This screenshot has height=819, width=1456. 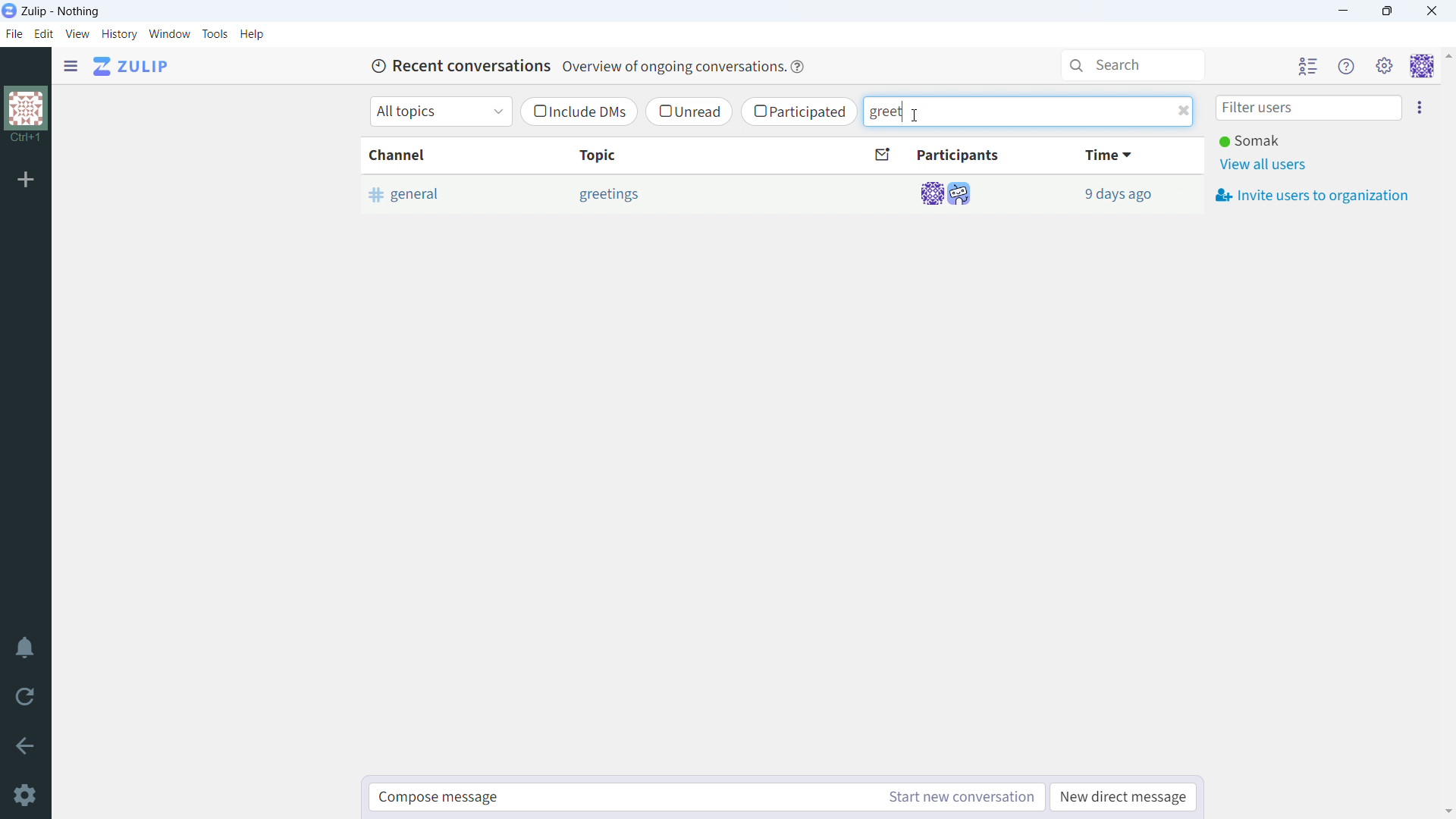 What do you see at coordinates (578, 112) in the screenshot?
I see `include dms` at bounding box center [578, 112].